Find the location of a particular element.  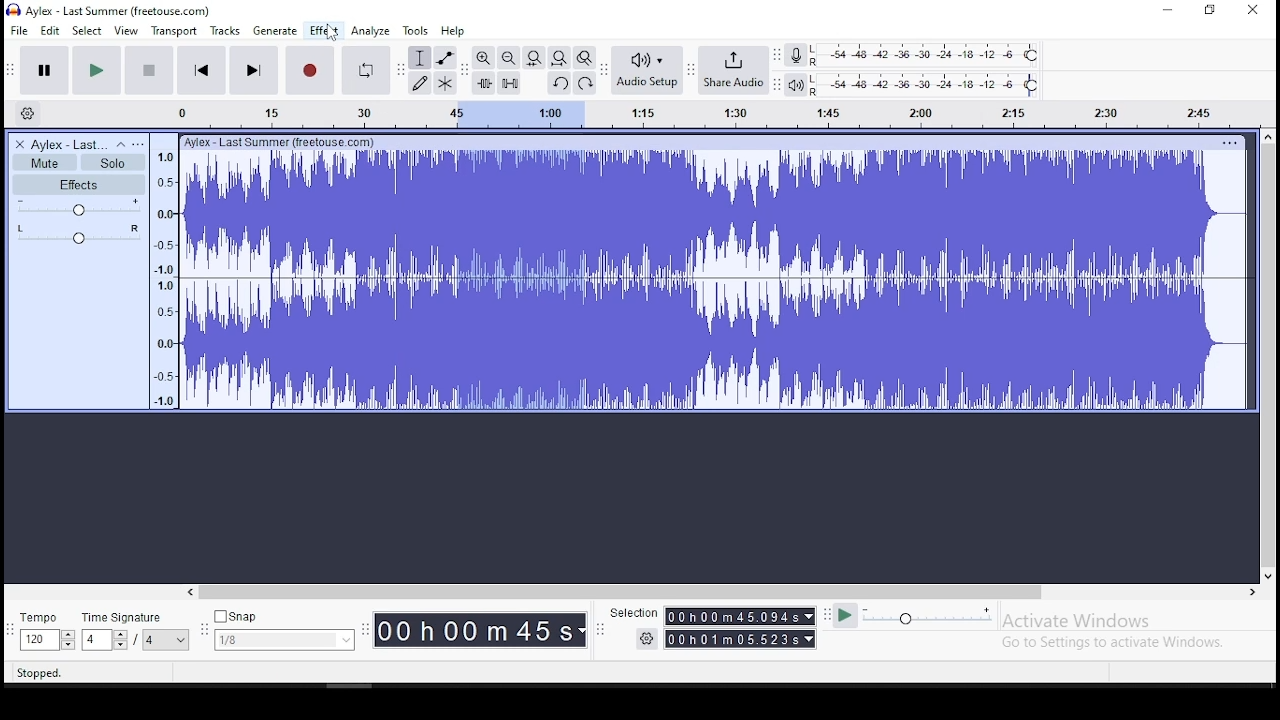

Selection is located at coordinates (627, 611).